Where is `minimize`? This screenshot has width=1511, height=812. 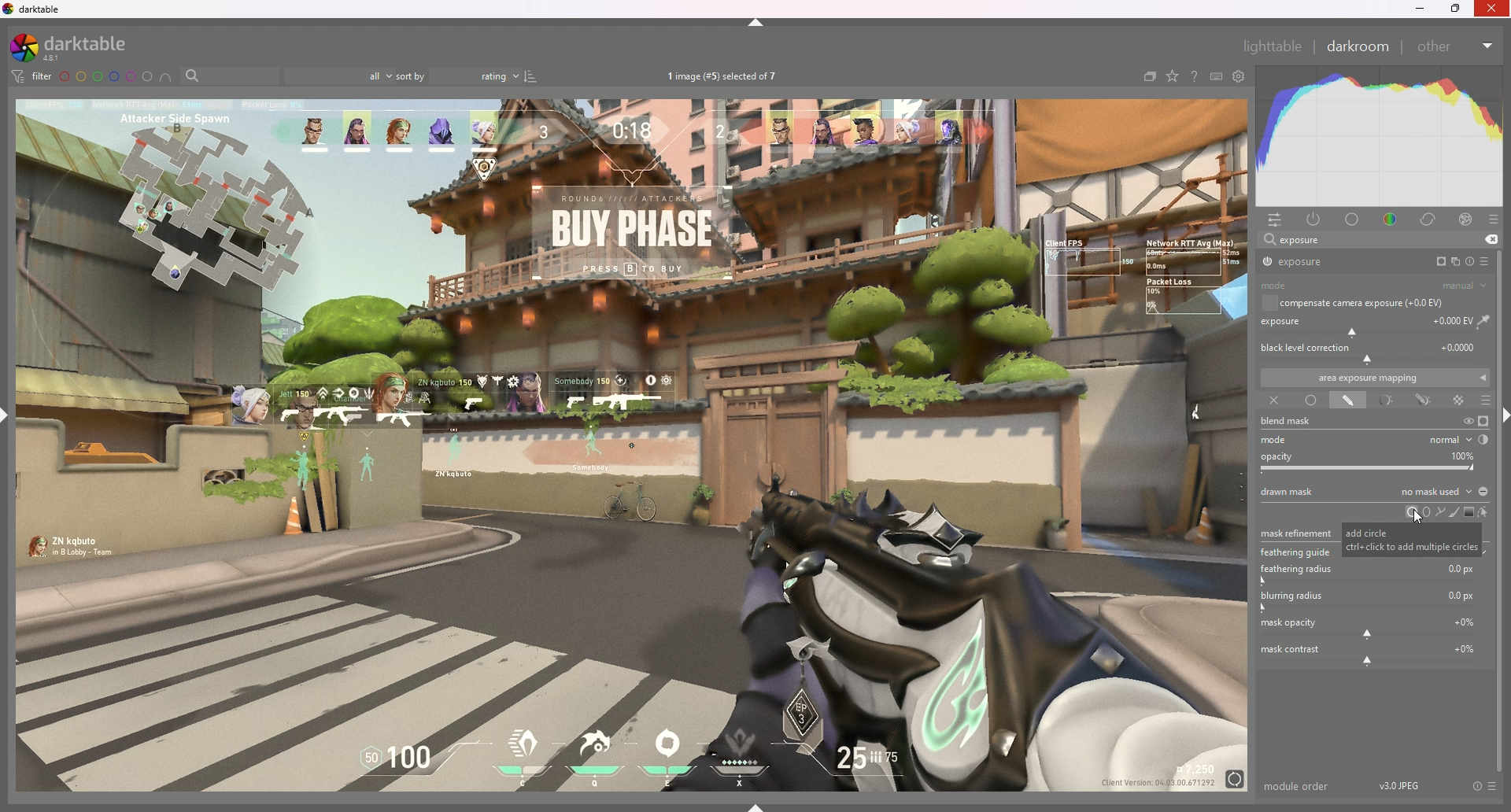 minimize is located at coordinates (1420, 9).